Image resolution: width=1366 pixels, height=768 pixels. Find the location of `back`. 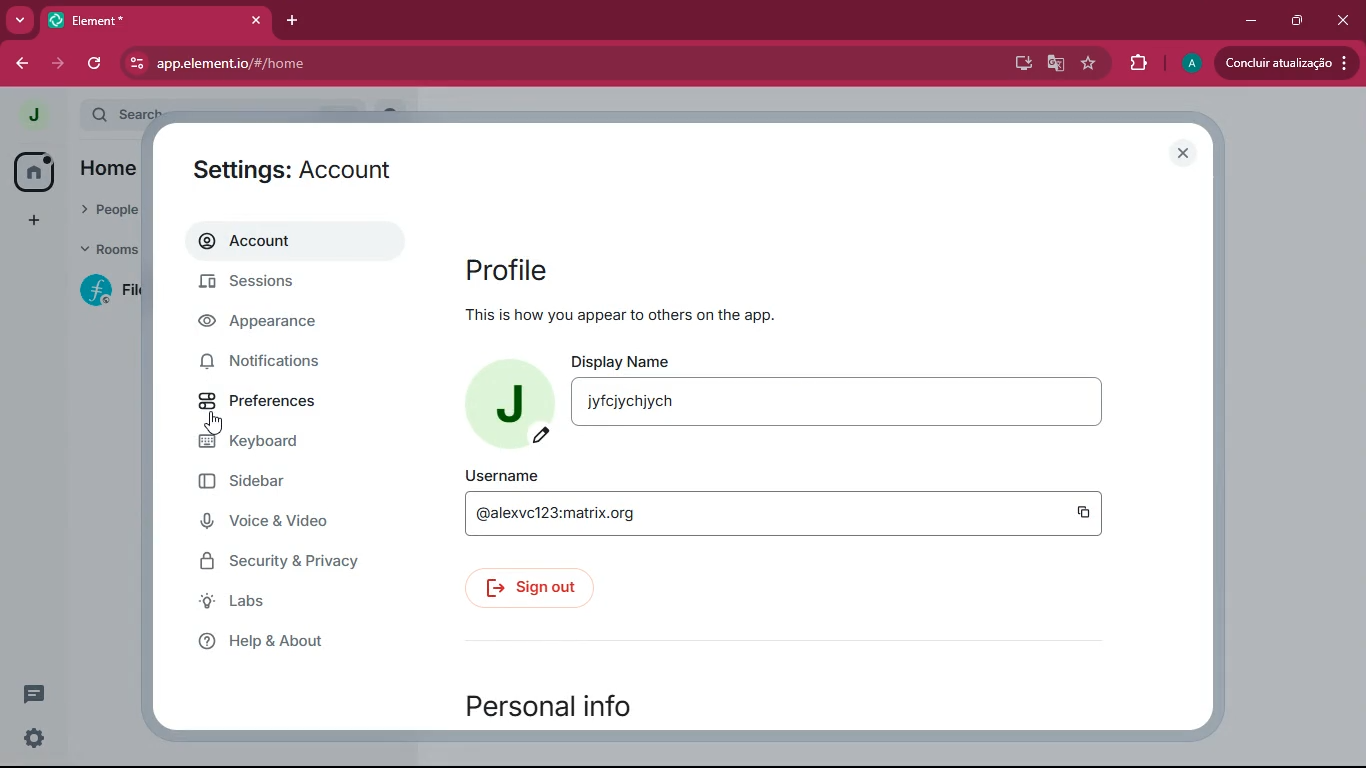

back is located at coordinates (23, 63).